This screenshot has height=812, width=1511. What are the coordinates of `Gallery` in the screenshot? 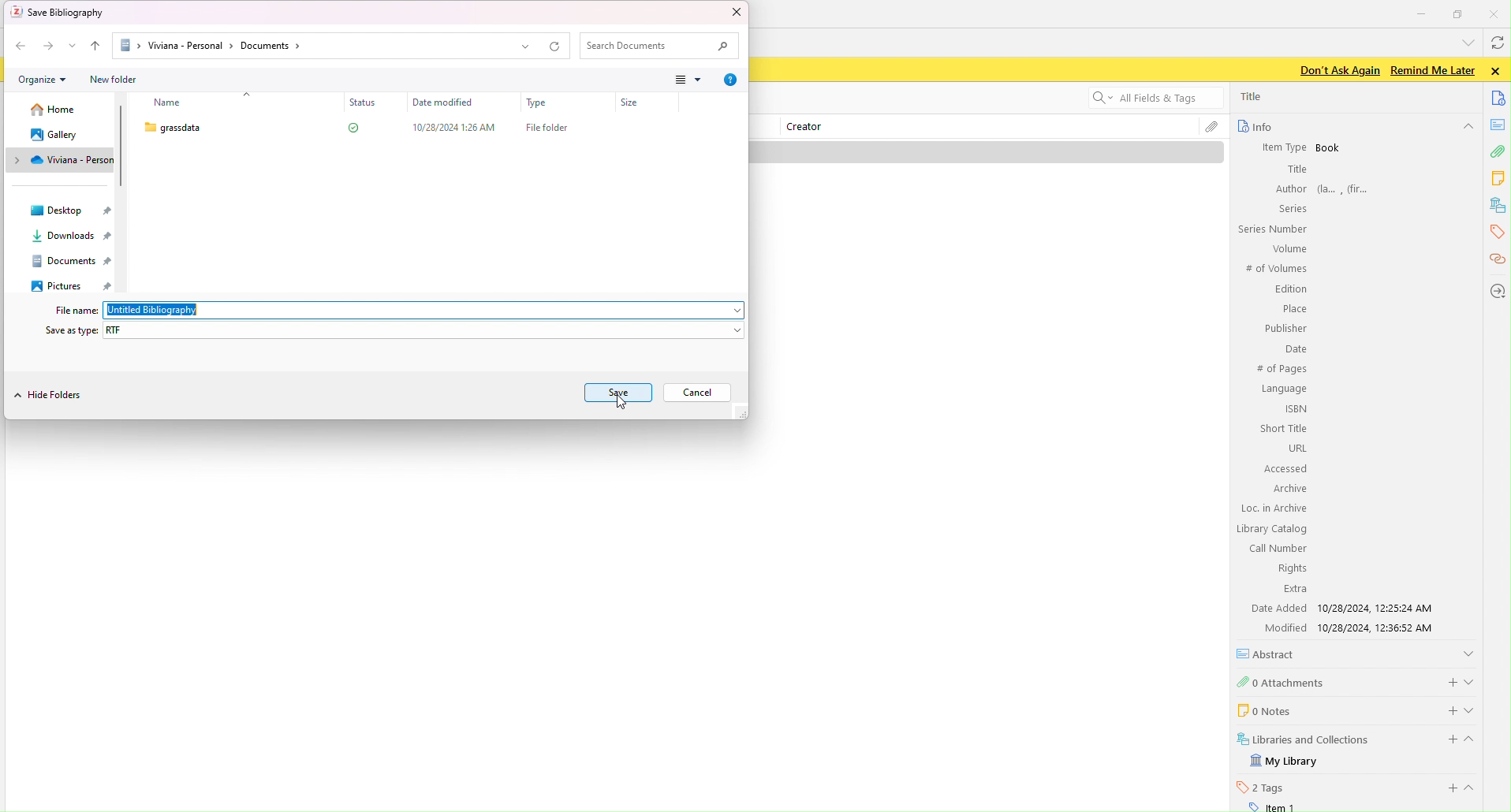 It's located at (60, 136).